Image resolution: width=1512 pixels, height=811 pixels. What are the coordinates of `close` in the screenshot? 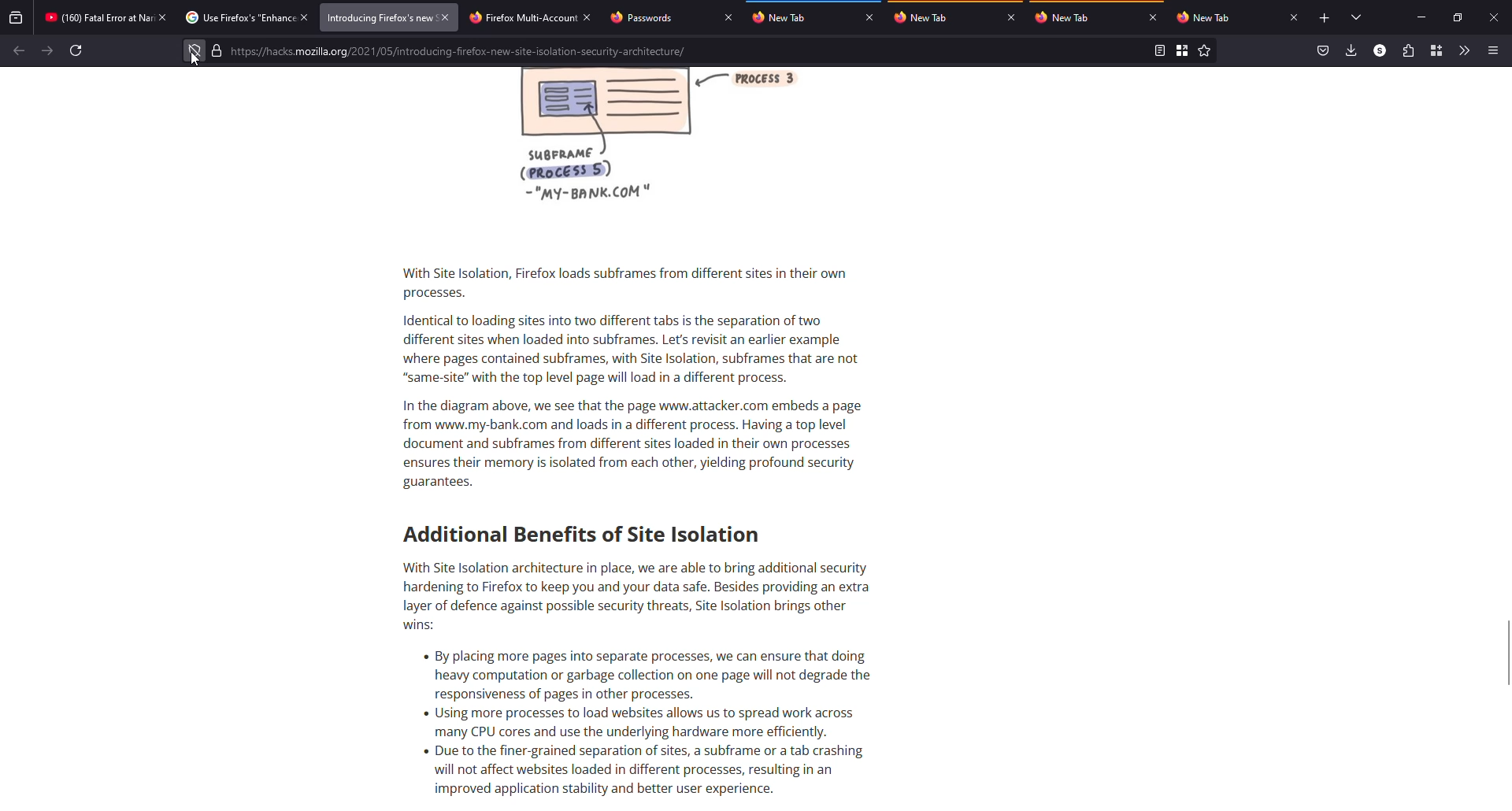 It's located at (445, 17).